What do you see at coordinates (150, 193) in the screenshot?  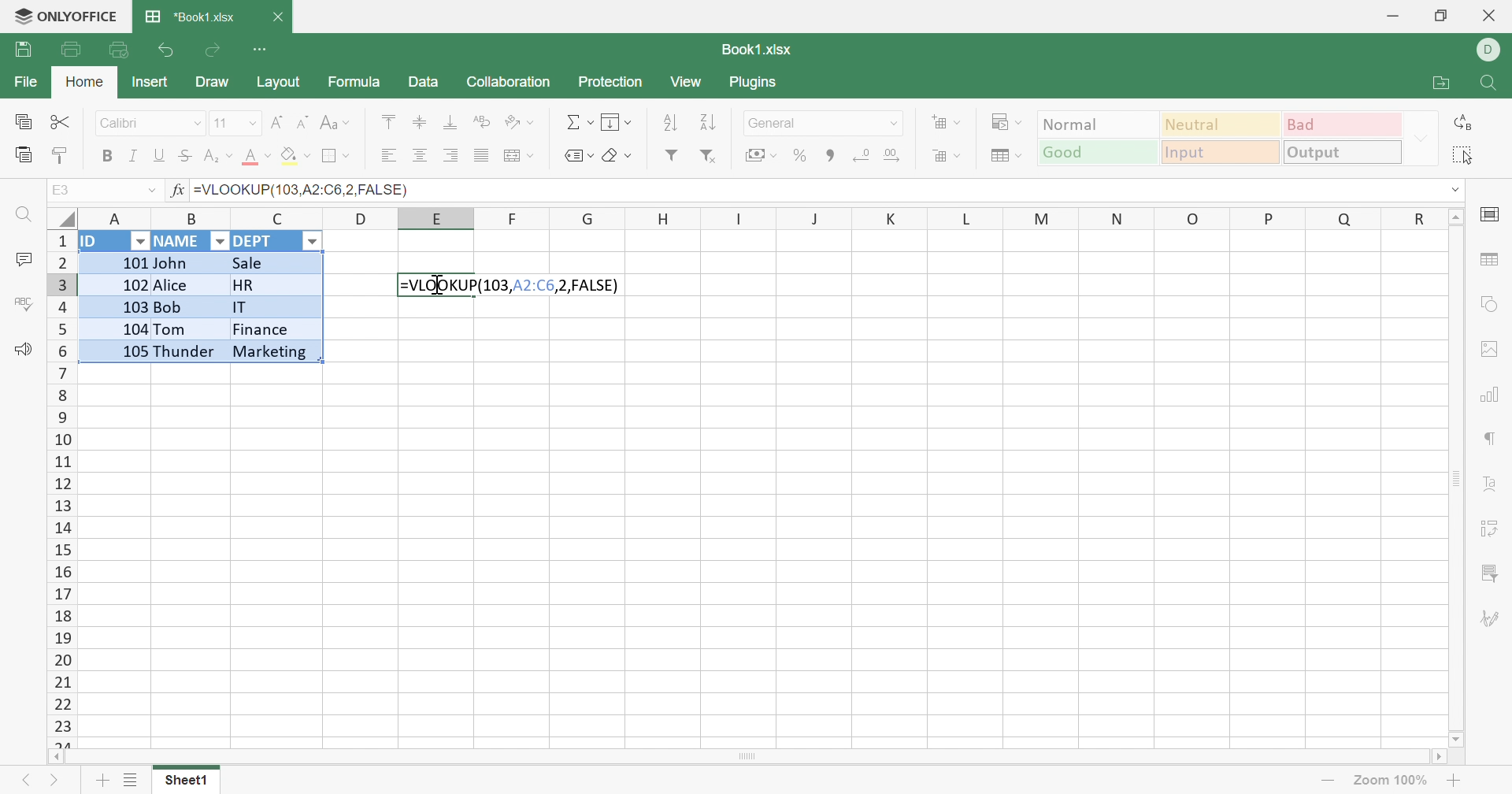 I see `Drop Down` at bounding box center [150, 193].